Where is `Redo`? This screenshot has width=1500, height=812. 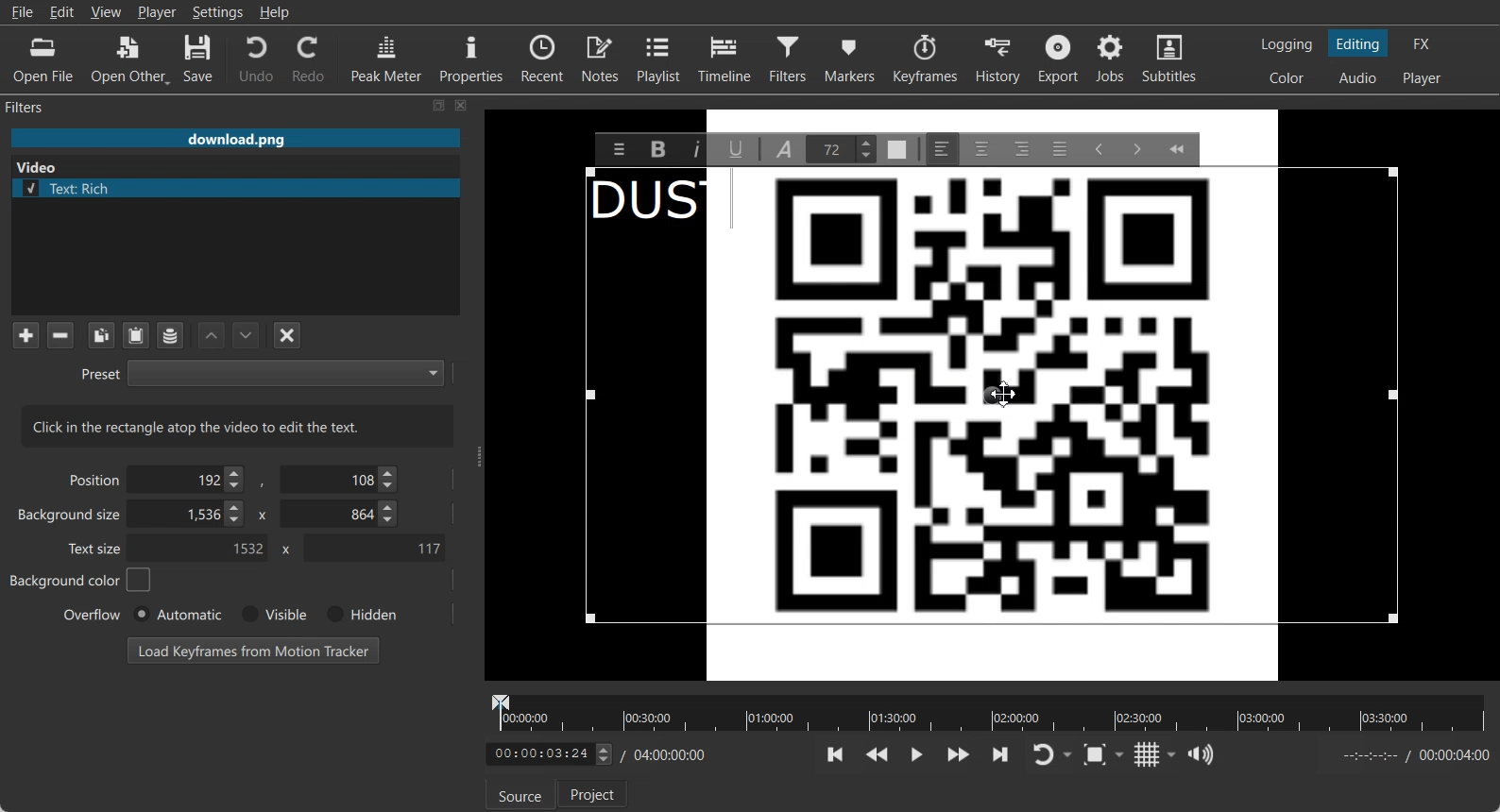
Redo is located at coordinates (310, 59).